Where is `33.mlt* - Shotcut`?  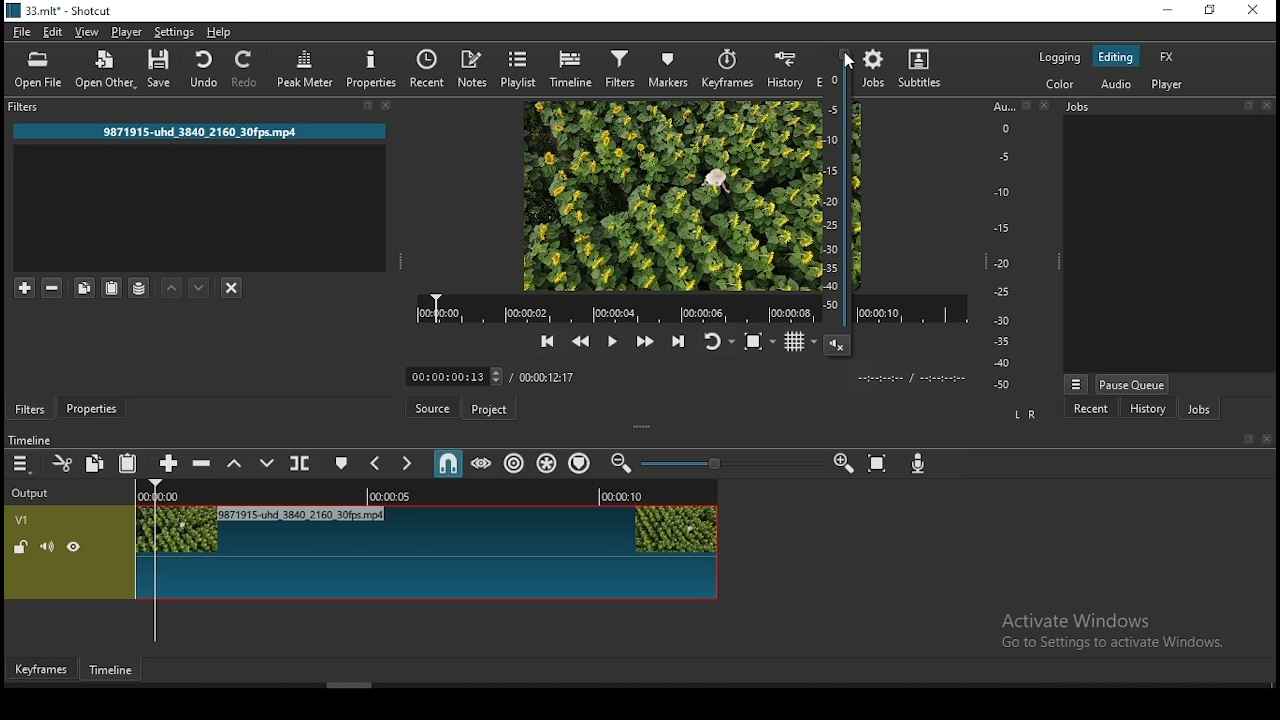
33.mlt* - Shotcut is located at coordinates (56, 12).